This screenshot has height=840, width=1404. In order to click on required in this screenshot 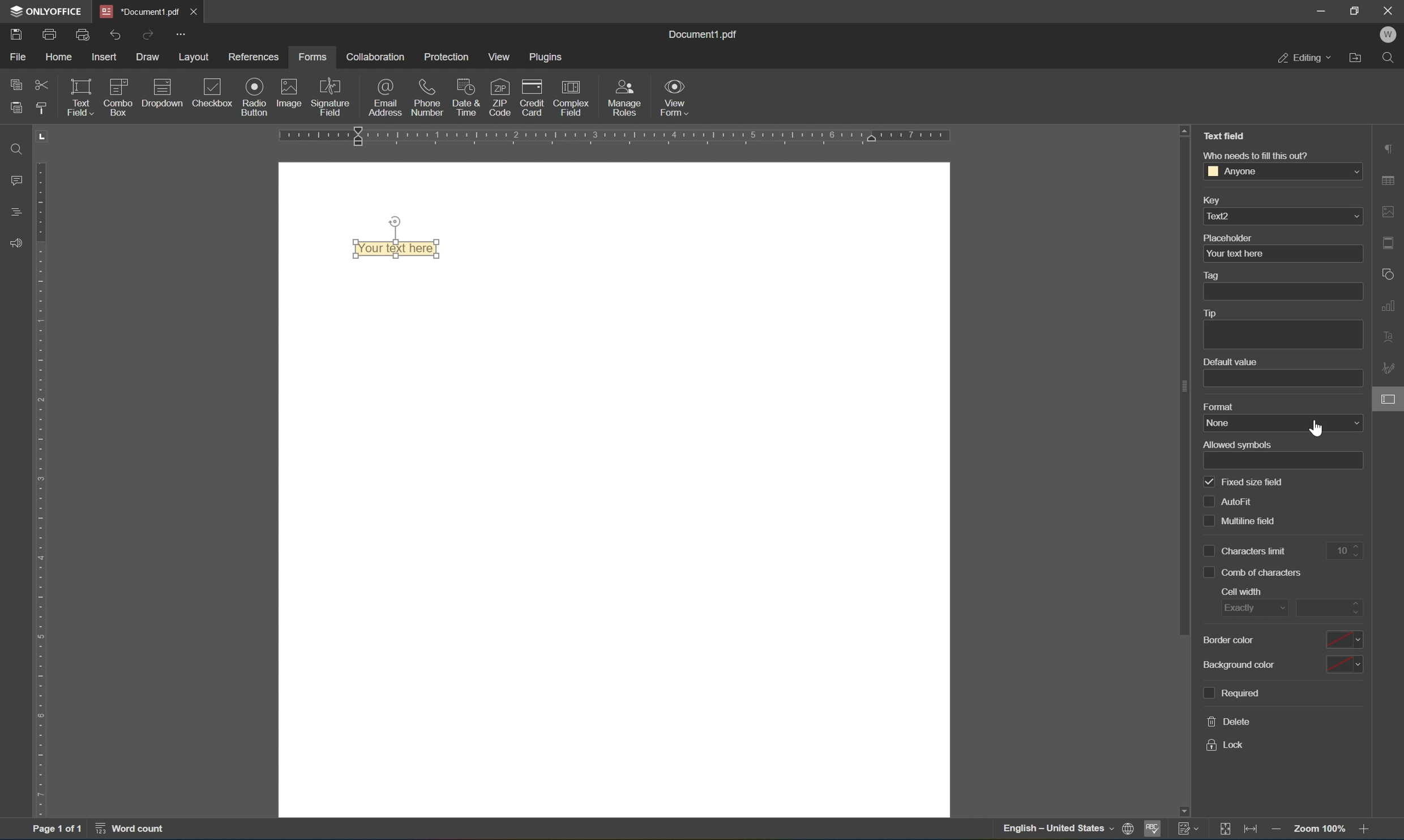, I will do `click(1236, 694)`.